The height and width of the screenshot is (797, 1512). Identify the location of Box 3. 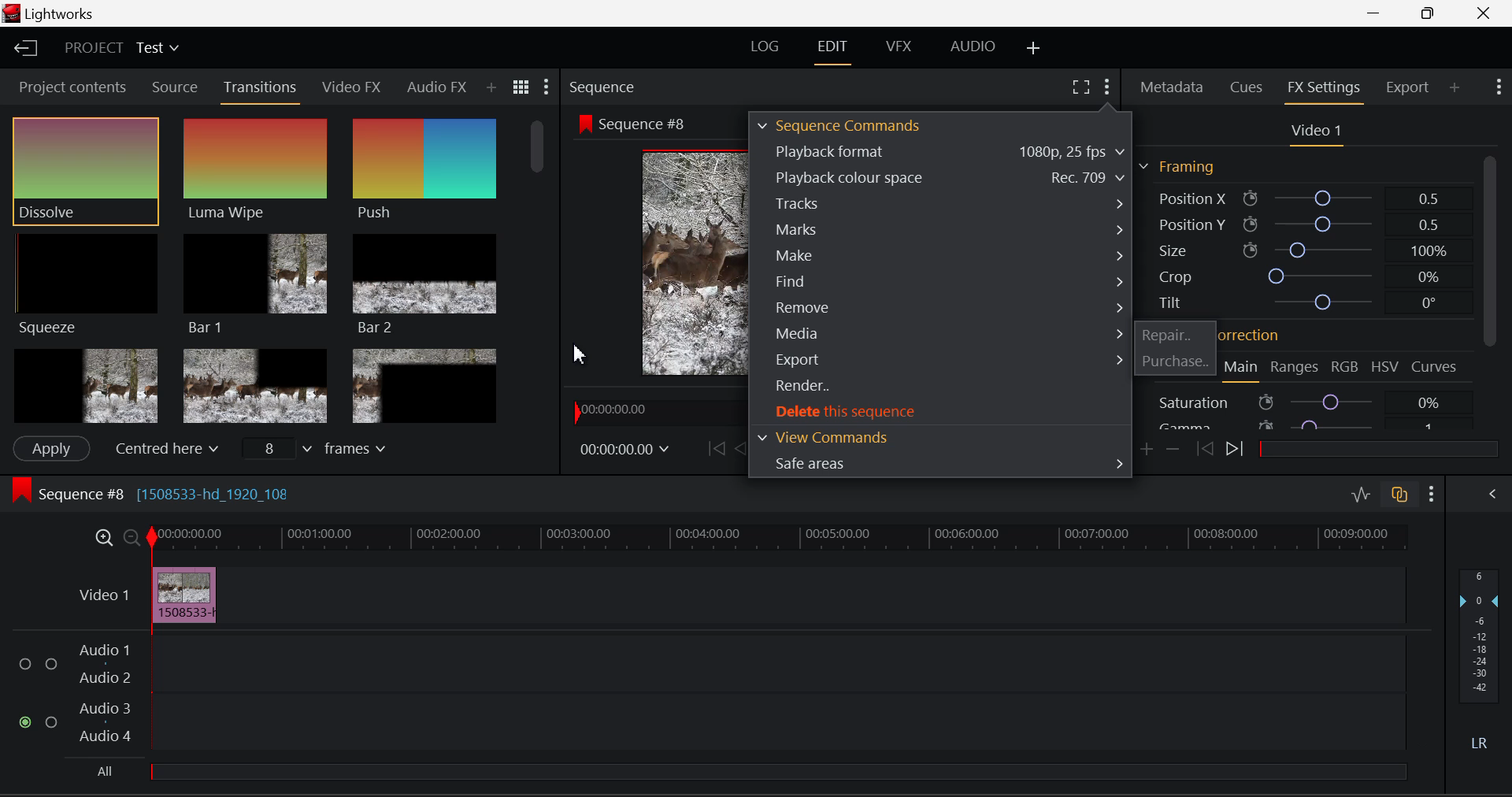
(424, 386).